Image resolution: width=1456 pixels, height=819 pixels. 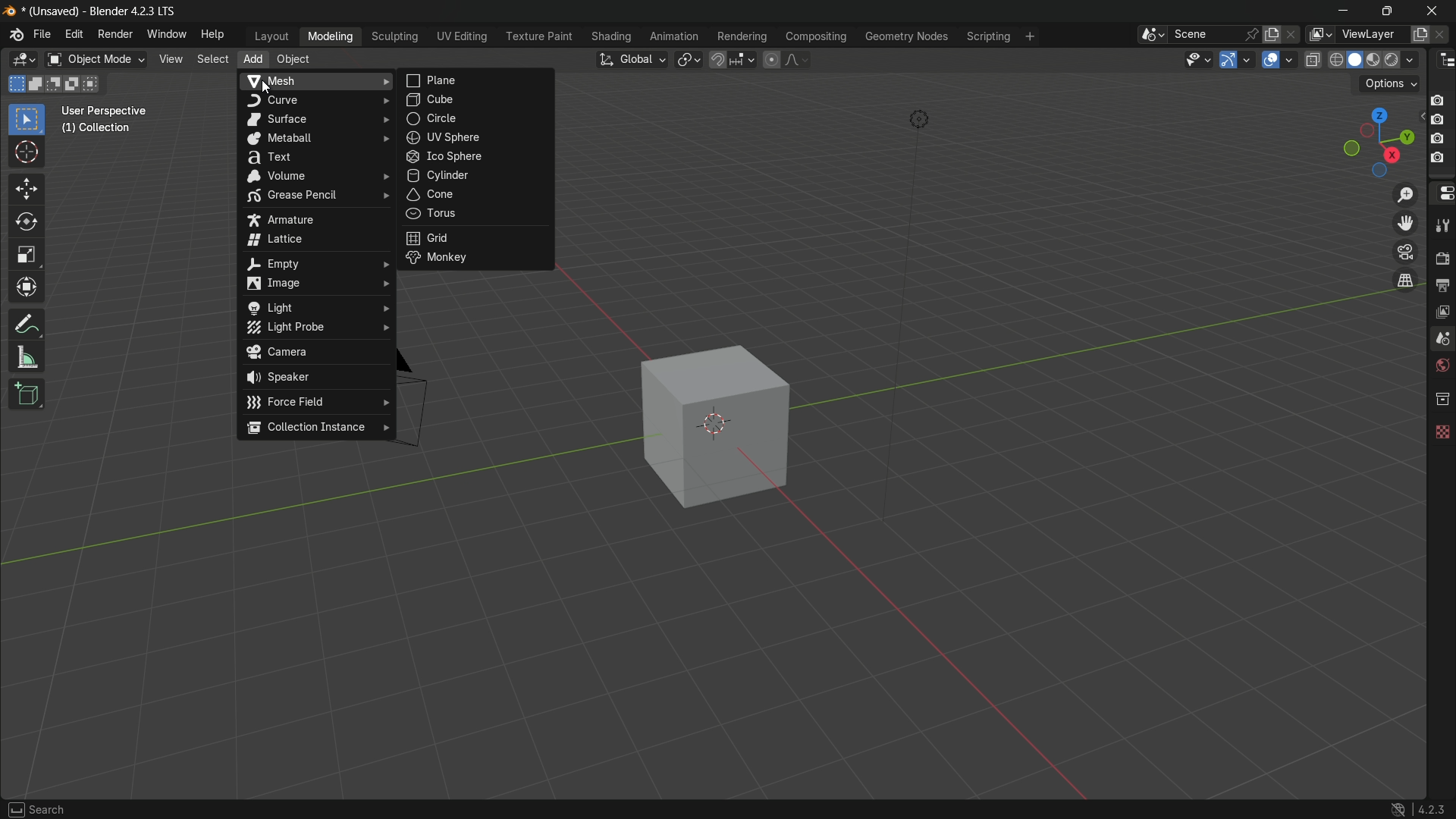 I want to click on curve, so click(x=317, y=99).